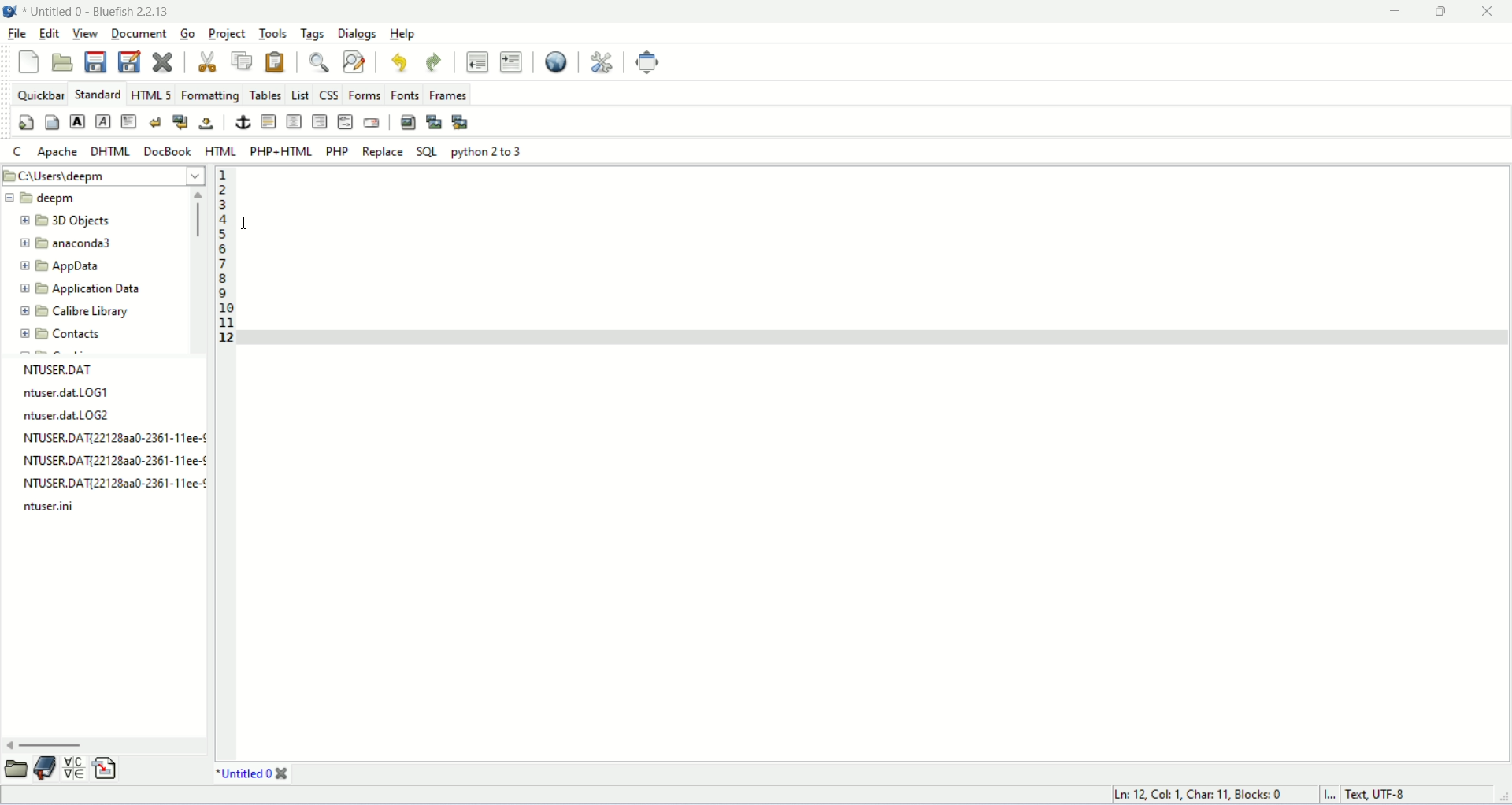 The image size is (1512, 805). Describe the element at coordinates (339, 151) in the screenshot. I see `PHP` at that location.